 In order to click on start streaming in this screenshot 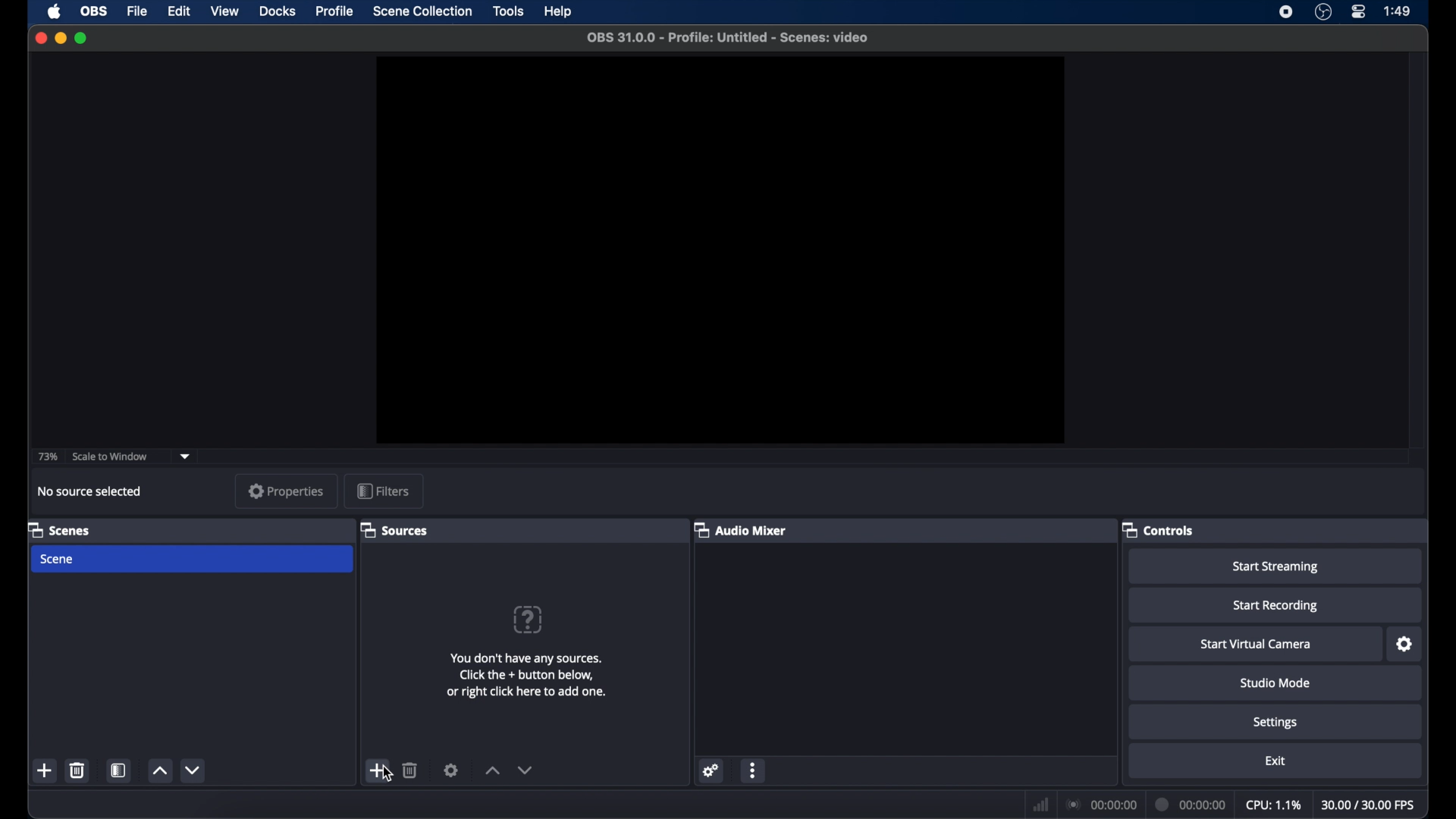, I will do `click(1277, 567)`.